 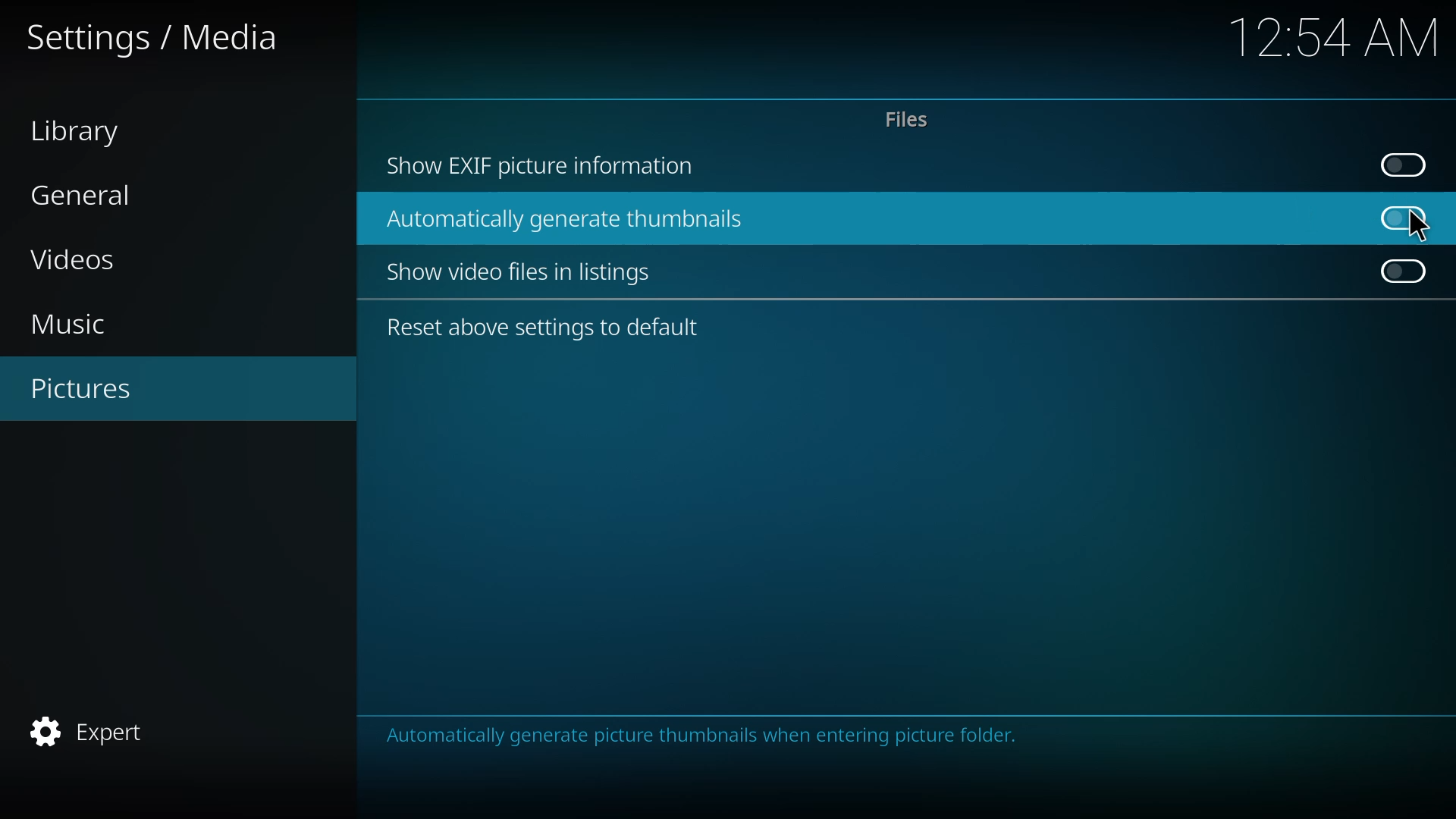 I want to click on disabled, so click(x=1402, y=218).